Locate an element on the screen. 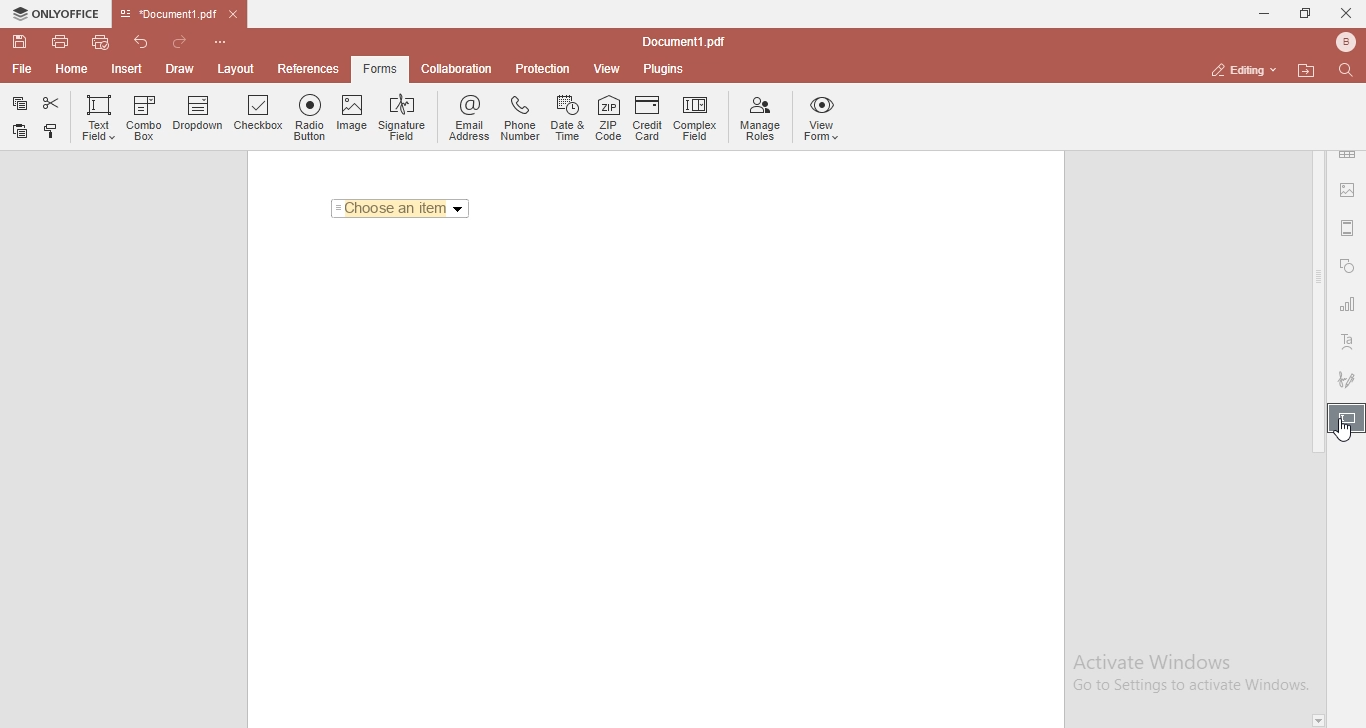 Image resolution: width=1366 pixels, height=728 pixels. signature is located at coordinates (1348, 376).